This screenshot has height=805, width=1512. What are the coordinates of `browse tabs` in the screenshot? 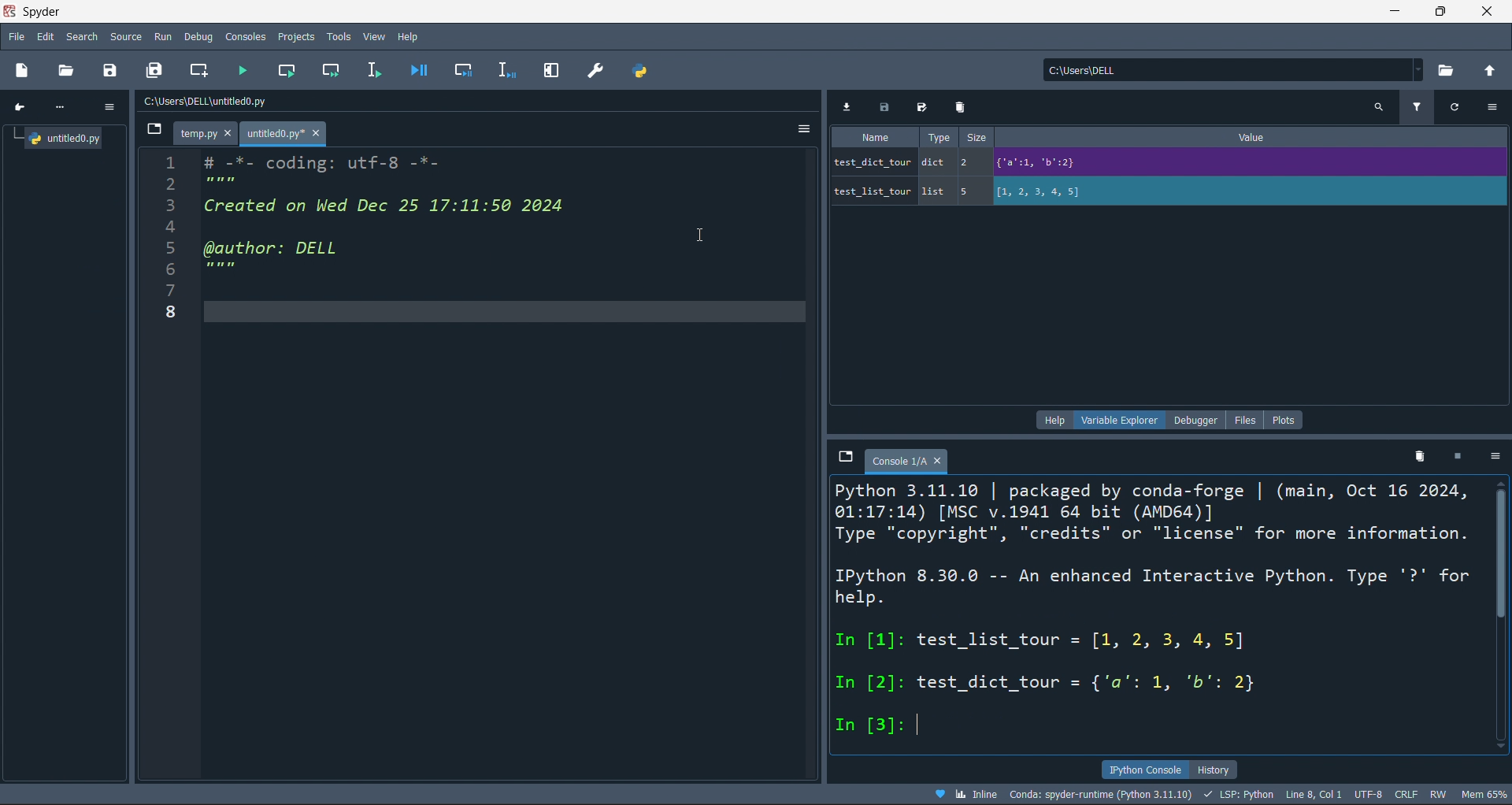 It's located at (845, 455).